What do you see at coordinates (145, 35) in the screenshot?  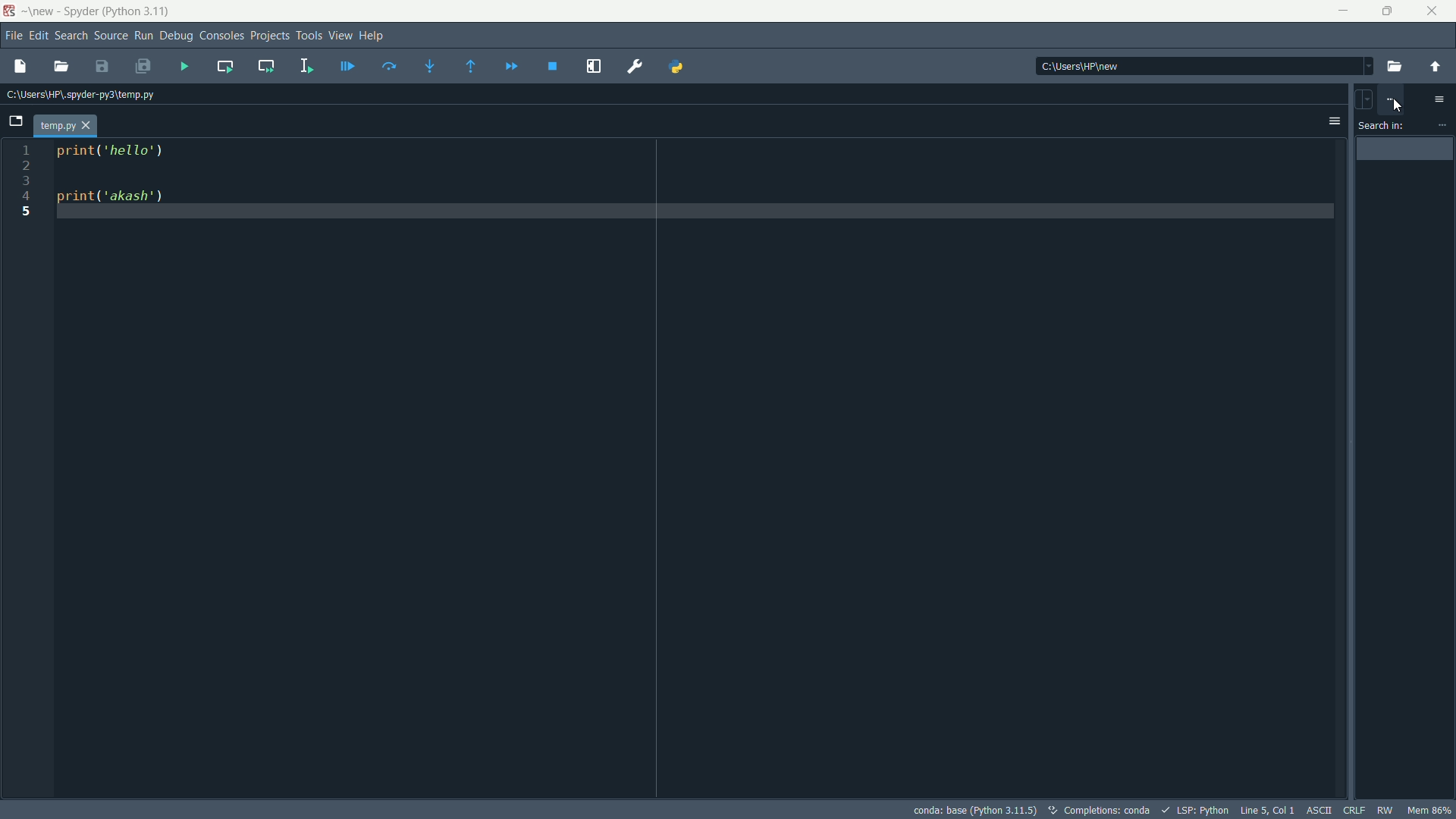 I see `Run Menu` at bounding box center [145, 35].